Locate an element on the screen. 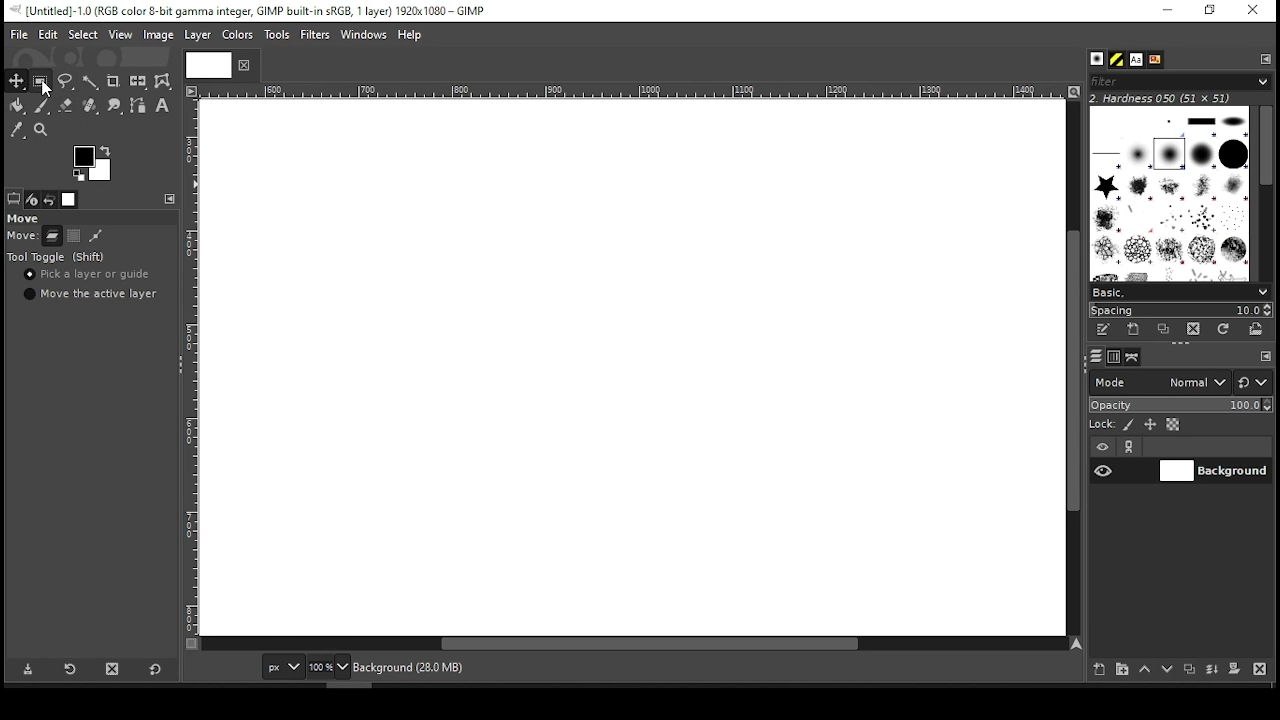  windows is located at coordinates (365, 36).